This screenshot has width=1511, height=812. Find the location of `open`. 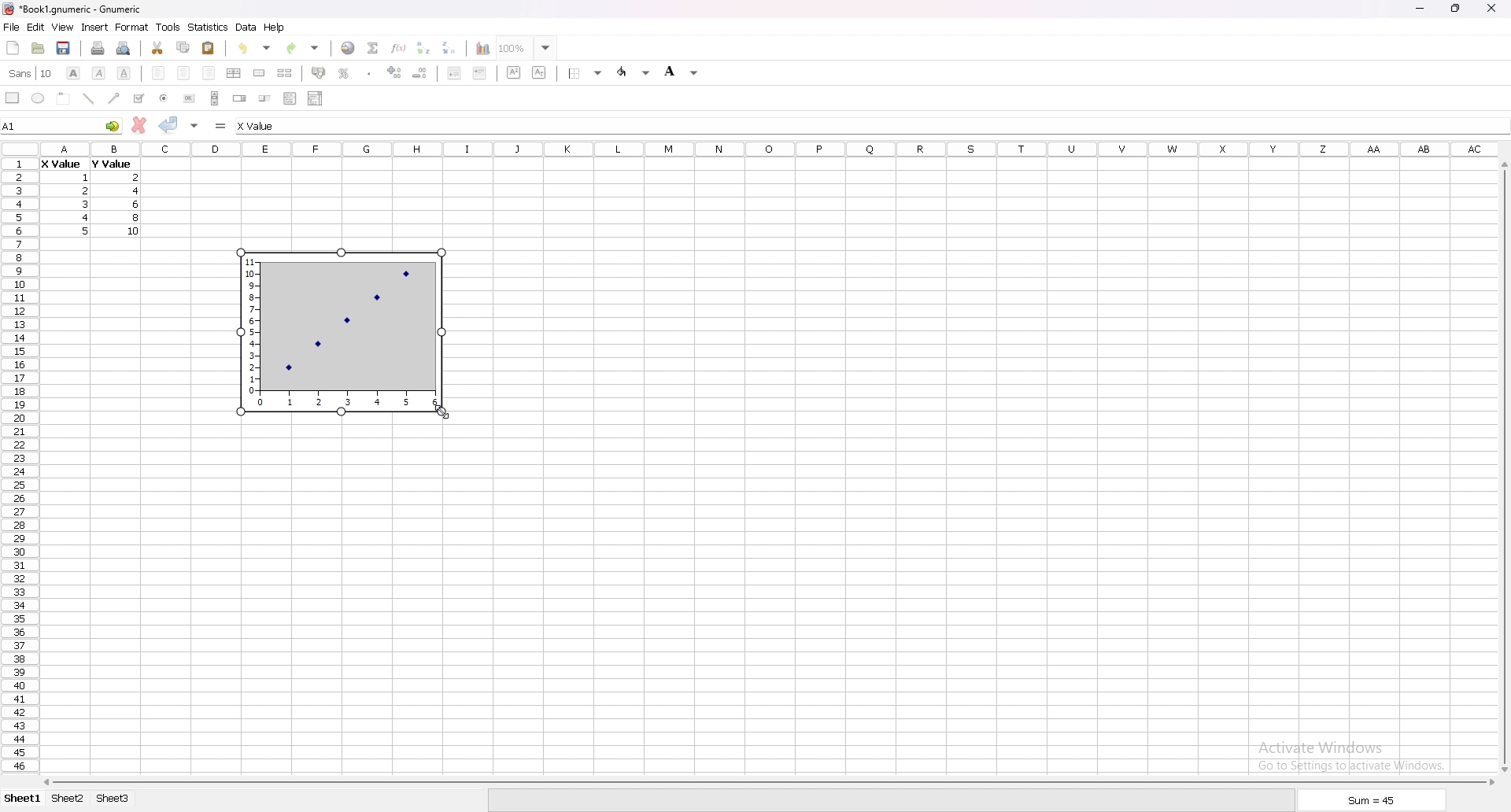

open is located at coordinates (38, 48).